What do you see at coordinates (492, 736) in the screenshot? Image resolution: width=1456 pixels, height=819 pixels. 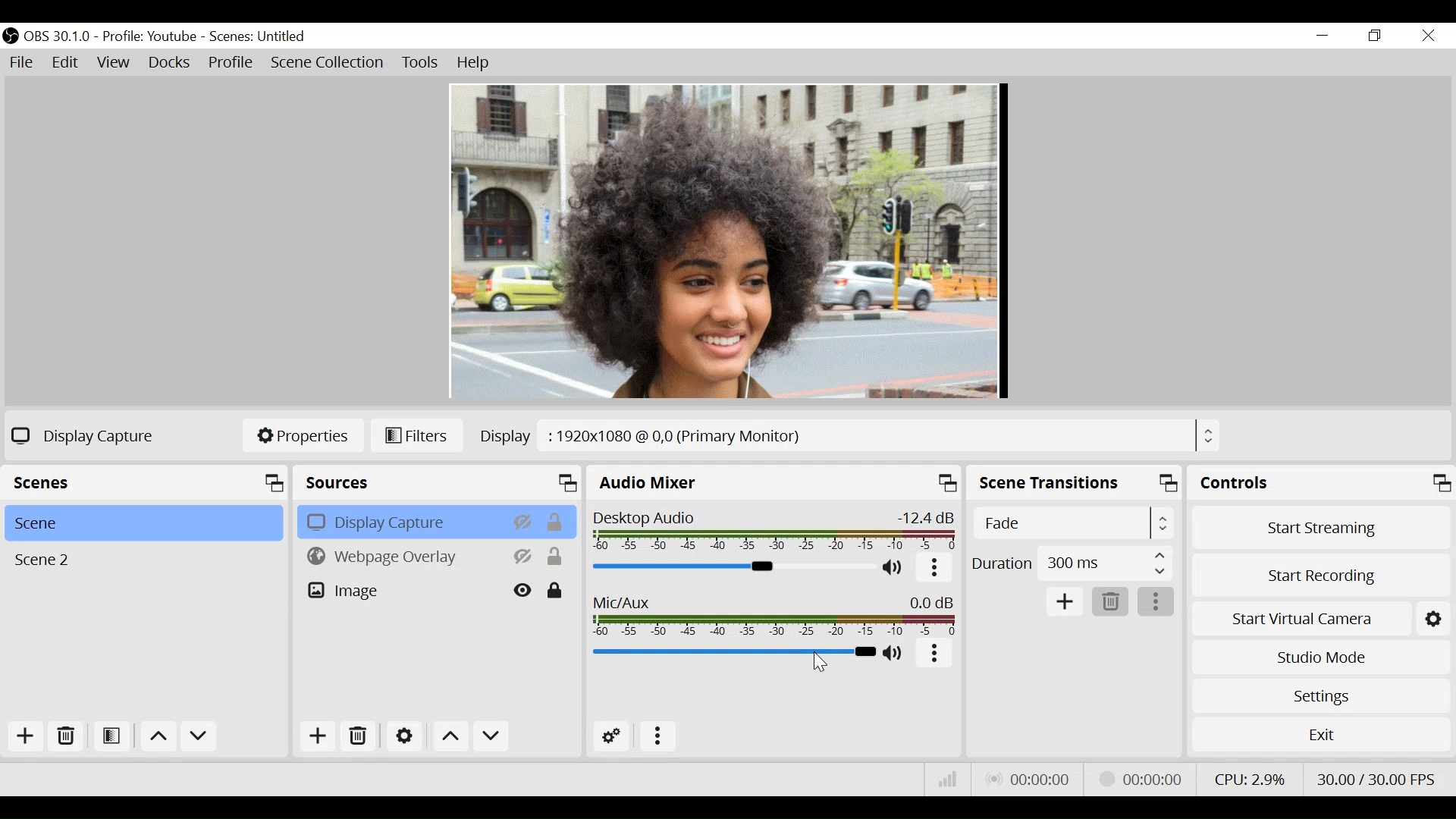 I see `Move down` at bounding box center [492, 736].